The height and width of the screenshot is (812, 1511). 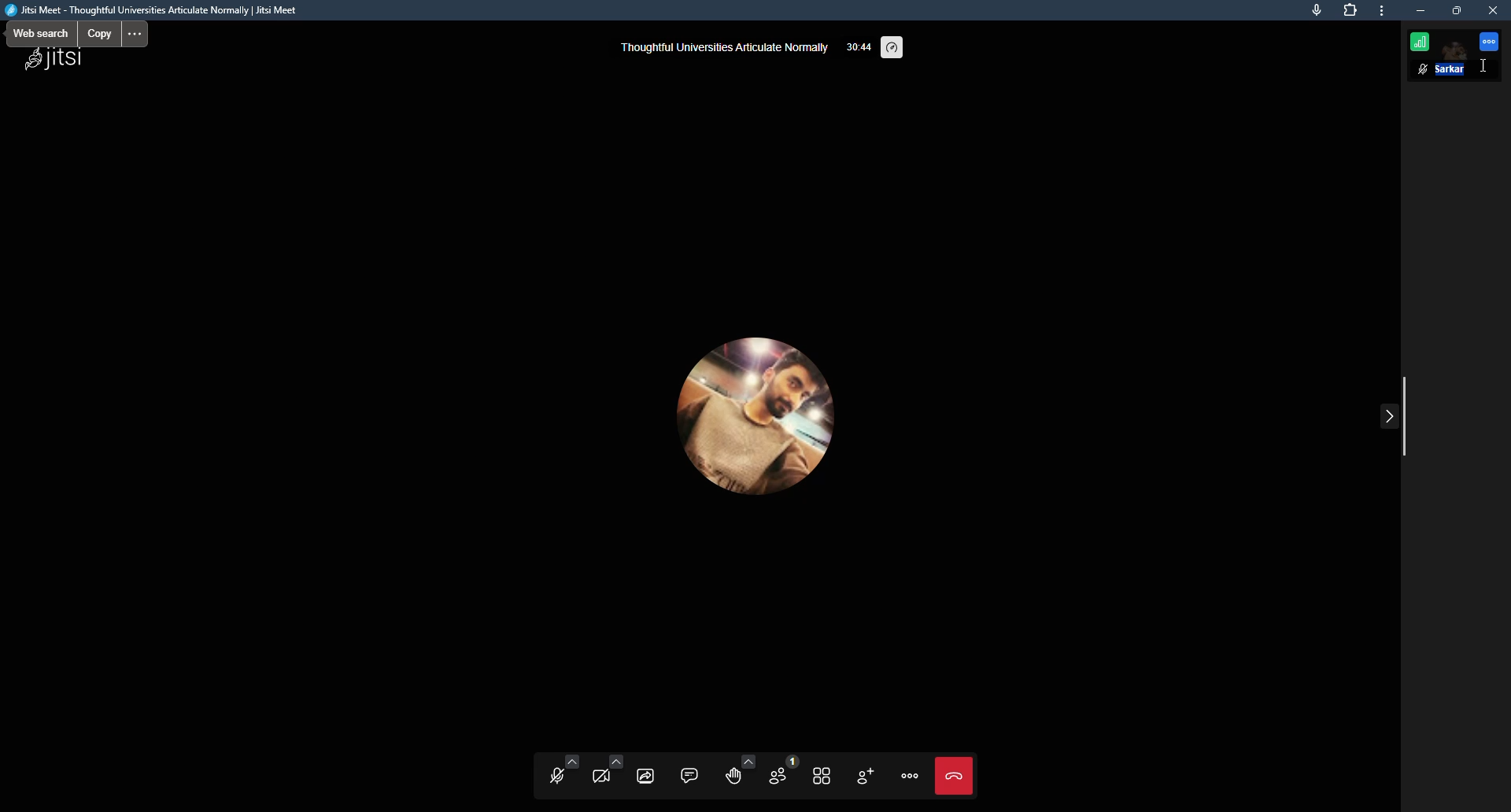 What do you see at coordinates (1419, 69) in the screenshot?
I see `mute` at bounding box center [1419, 69].